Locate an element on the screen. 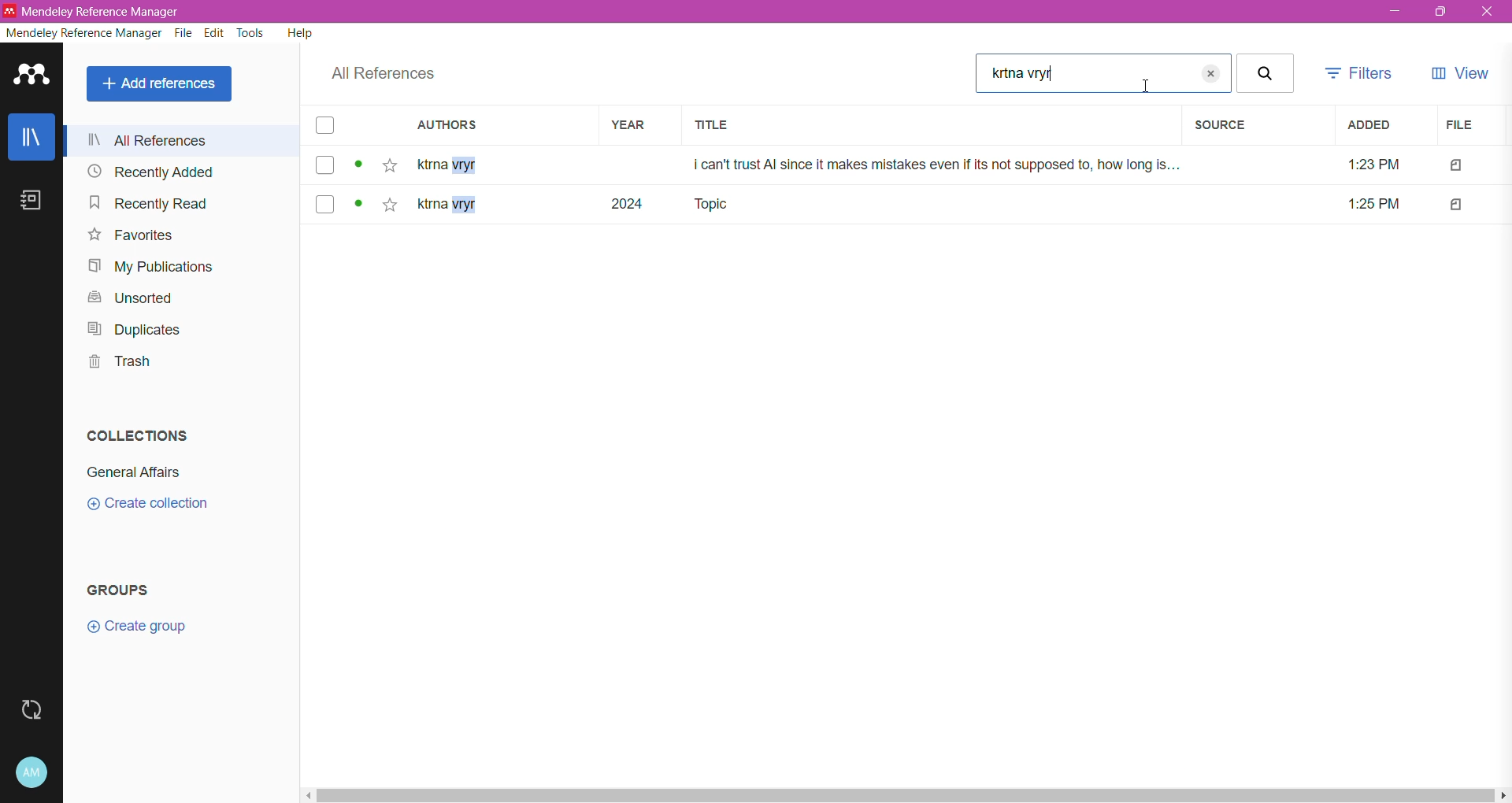 This screenshot has height=803, width=1512. Tools is located at coordinates (249, 35).